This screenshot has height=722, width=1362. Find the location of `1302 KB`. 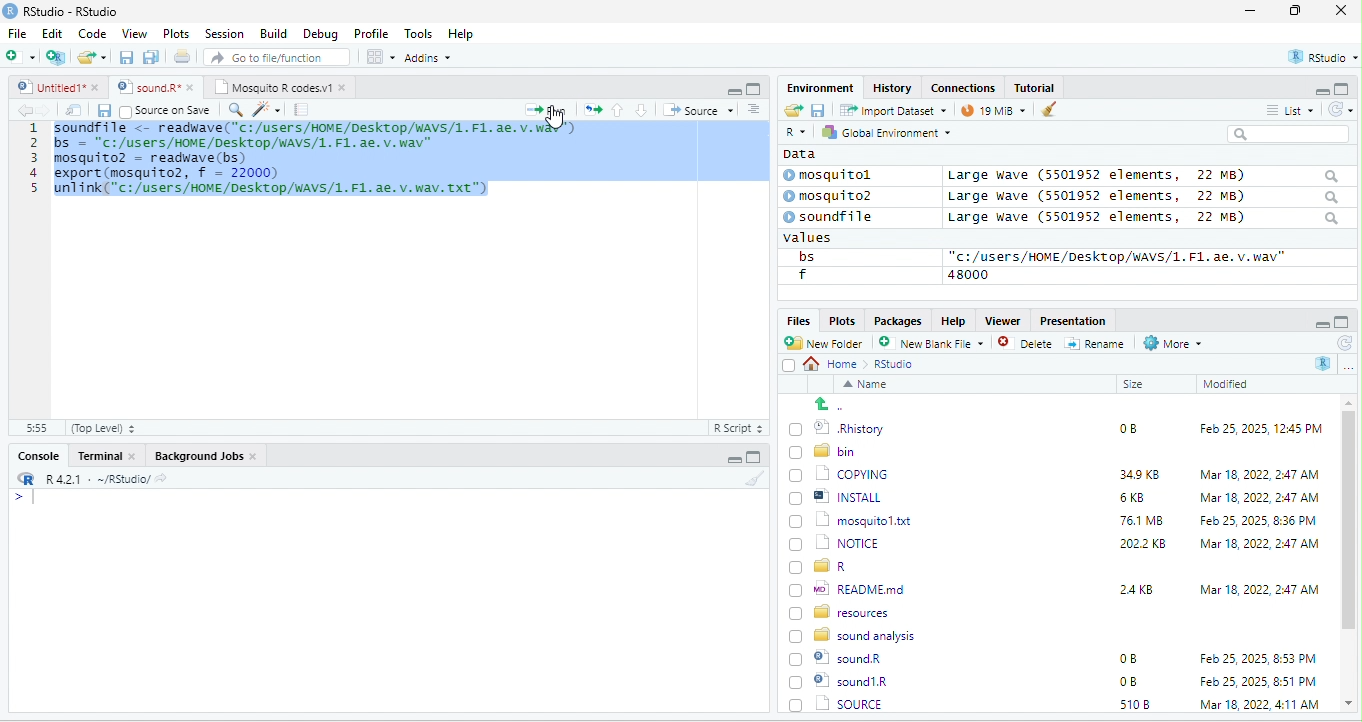

1302 KB is located at coordinates (1145, 704).